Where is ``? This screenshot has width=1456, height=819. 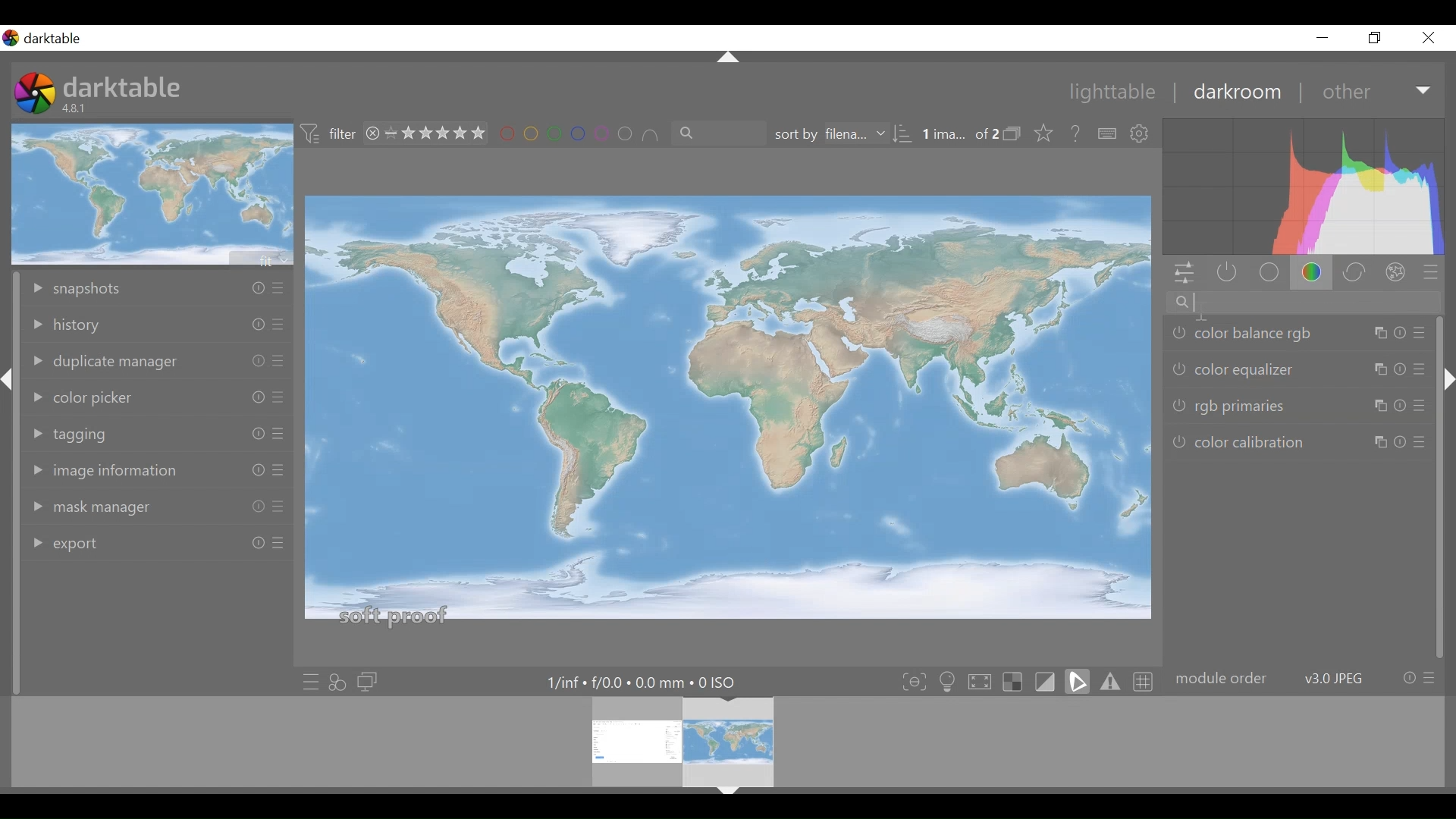  is located at coordinates (1387, 334).